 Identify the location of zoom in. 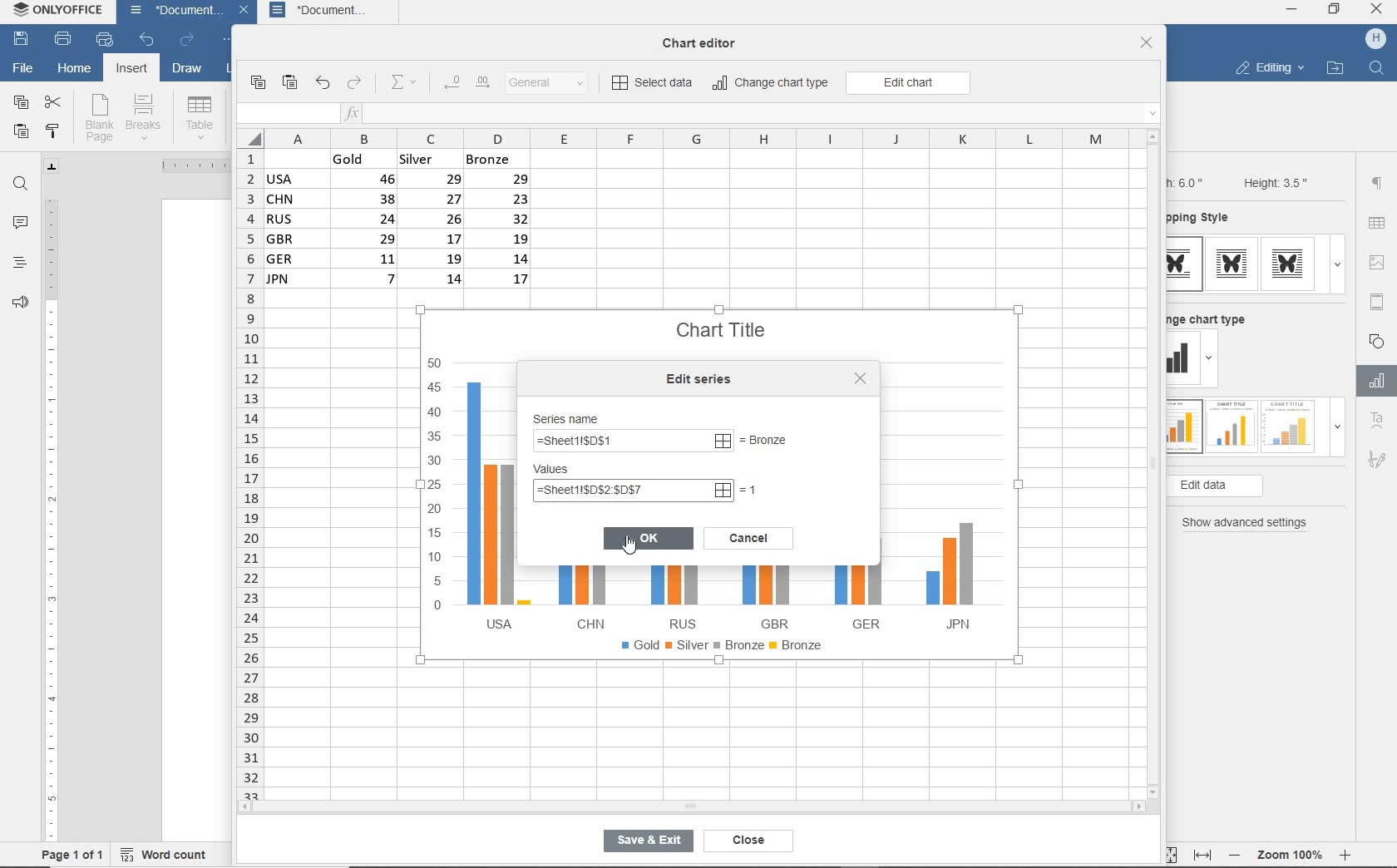
(1346, 852).